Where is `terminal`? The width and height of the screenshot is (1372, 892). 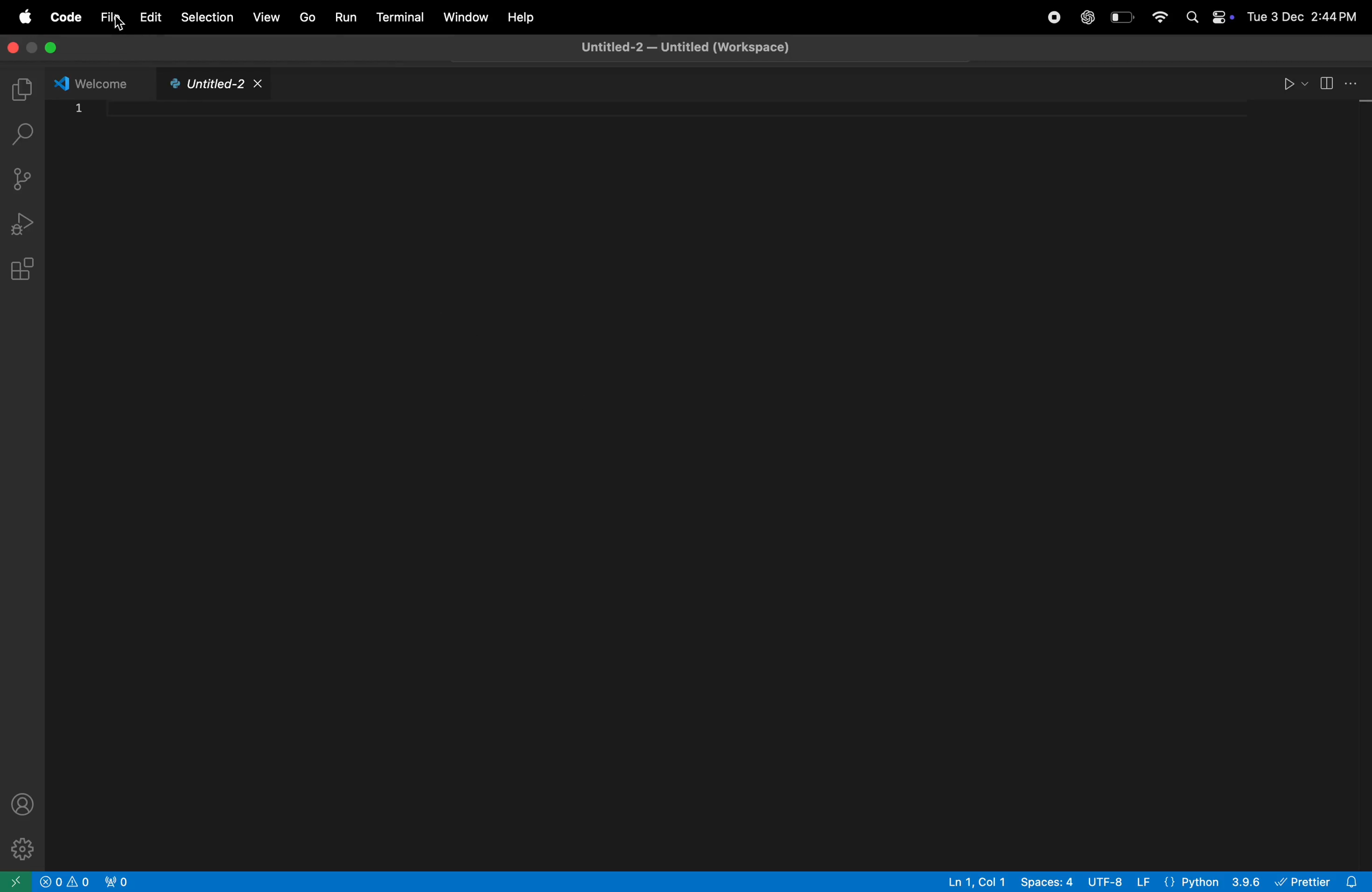 terminal is located at coordinates (397, 16).